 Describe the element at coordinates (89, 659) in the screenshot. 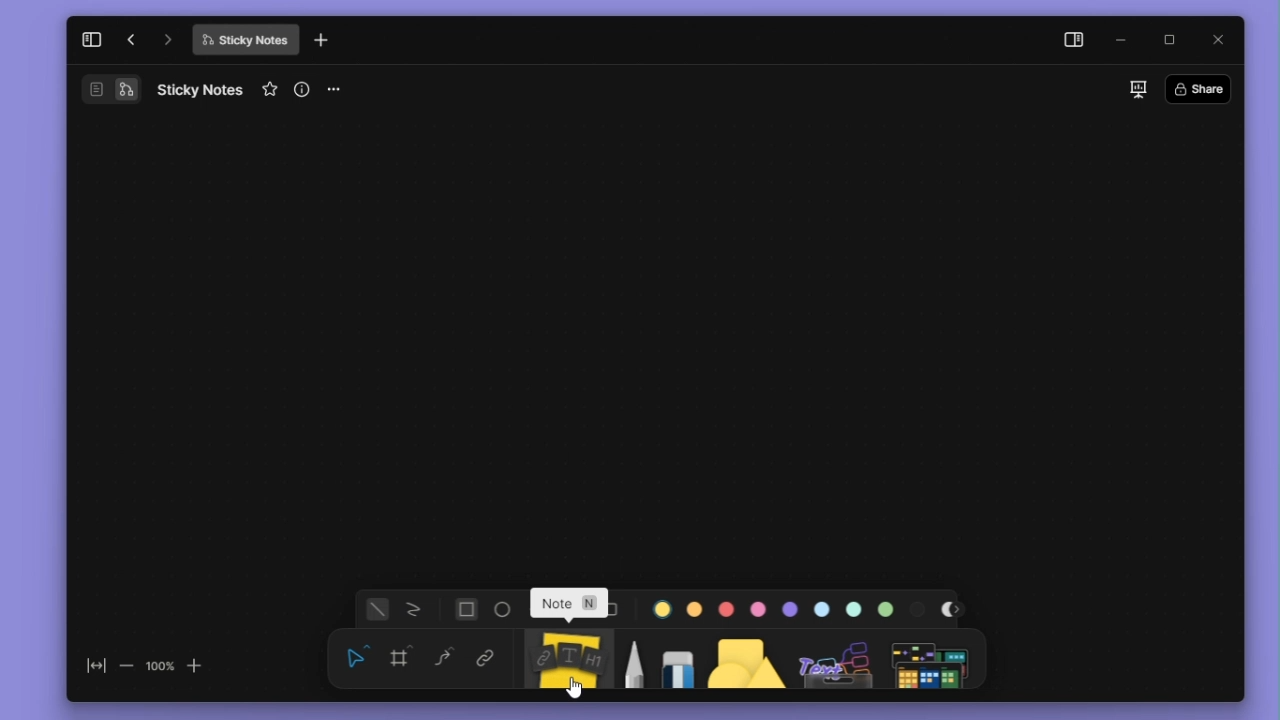

I see `fit to screen` at that location.